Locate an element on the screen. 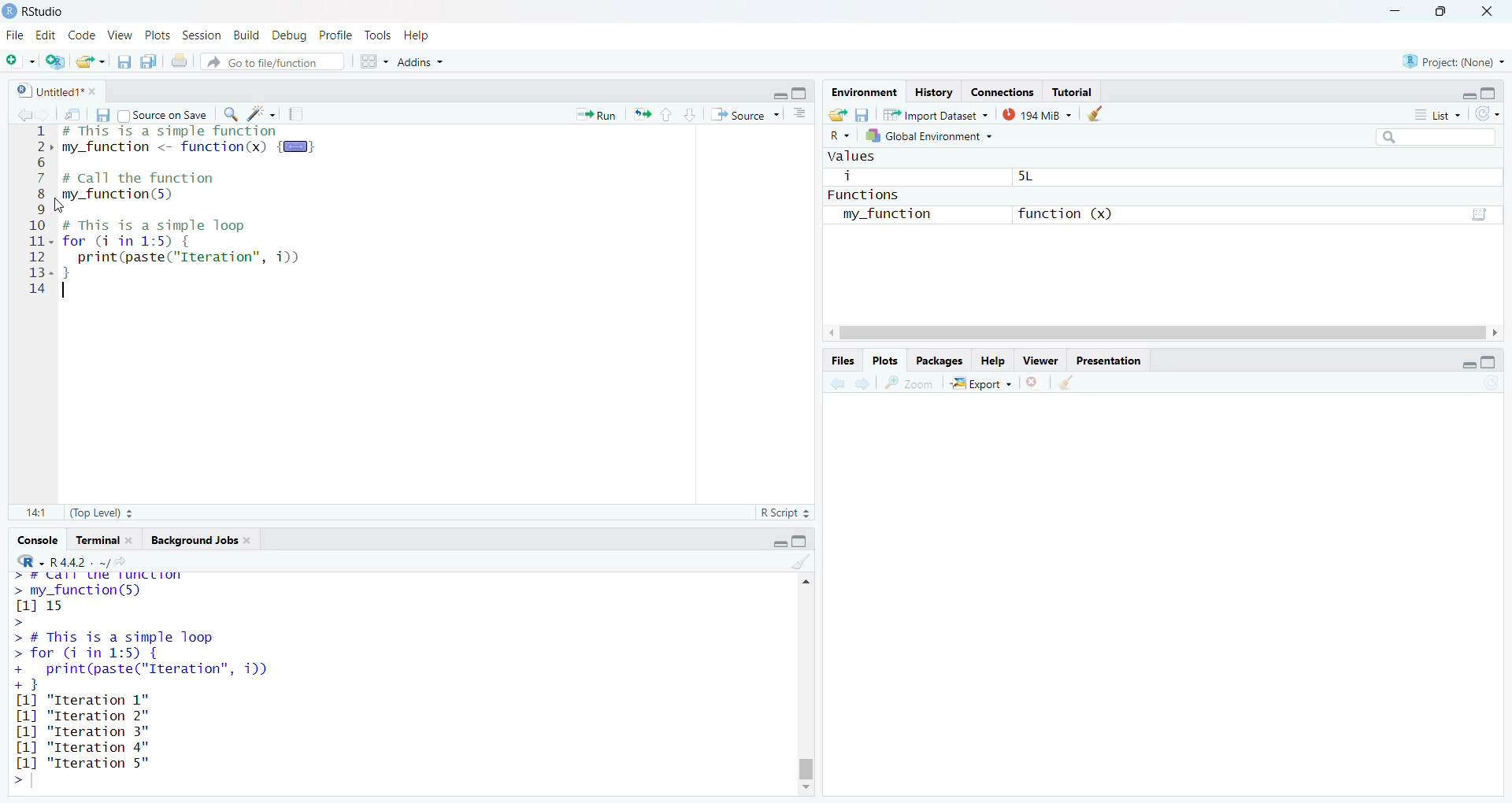  minimize is located at coordinates (1394, 9).